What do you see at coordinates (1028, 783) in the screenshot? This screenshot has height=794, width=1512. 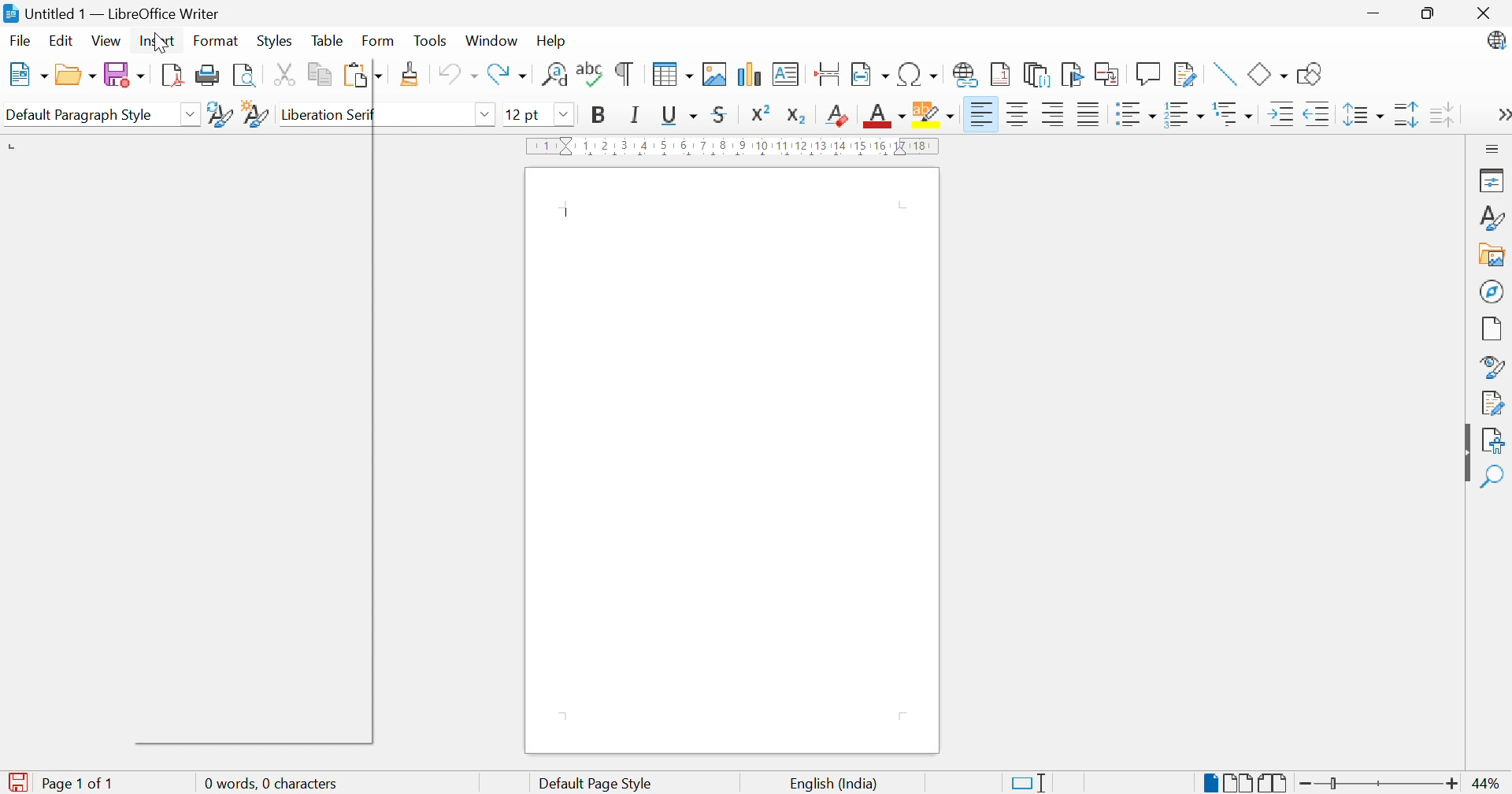 I see `Standard selection. Click to change selection mode.` at bounding box center [1028, 783].